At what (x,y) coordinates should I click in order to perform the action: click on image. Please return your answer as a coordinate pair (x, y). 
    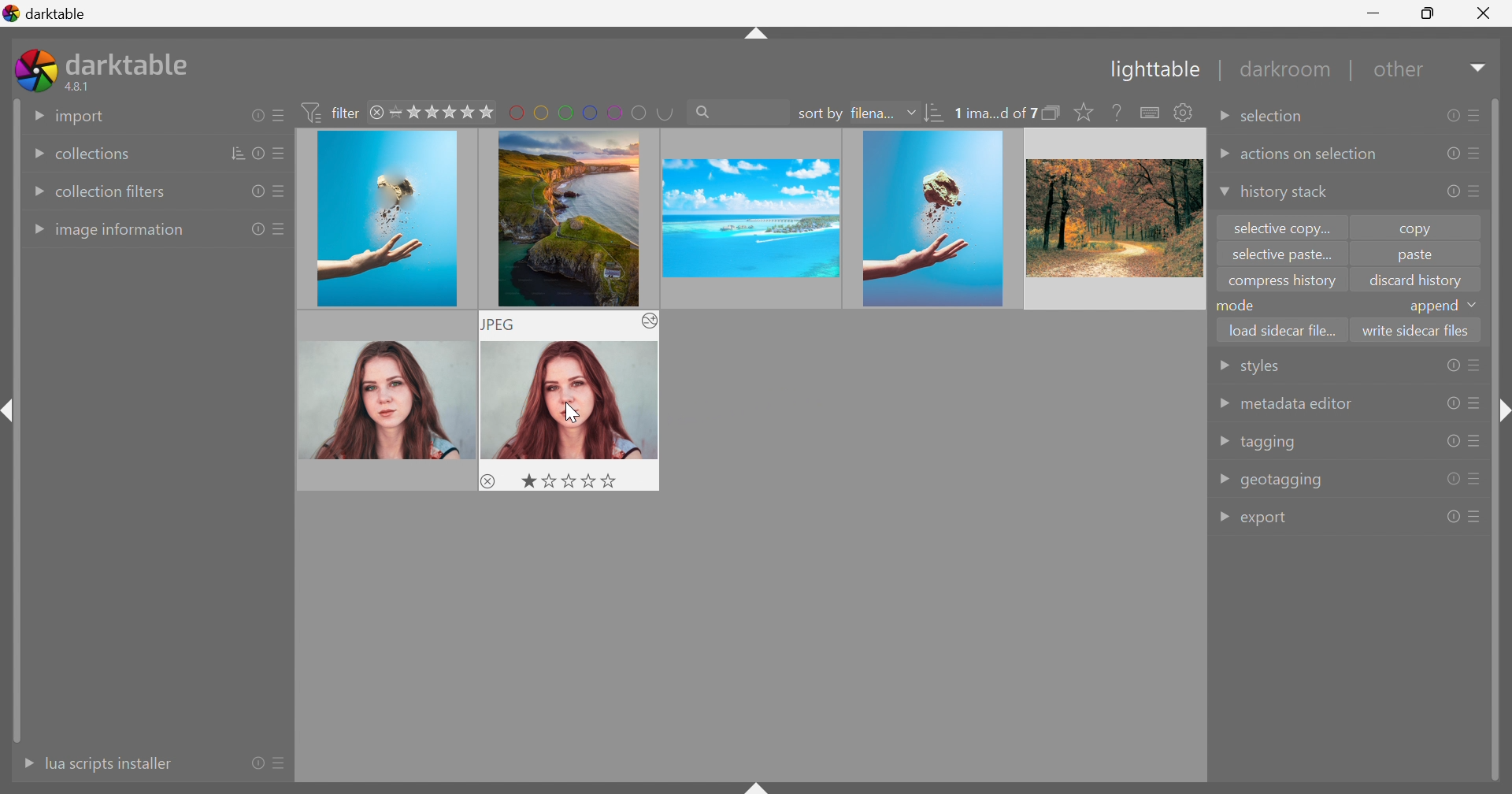
    Looking at the image, I should click on (387, 220).